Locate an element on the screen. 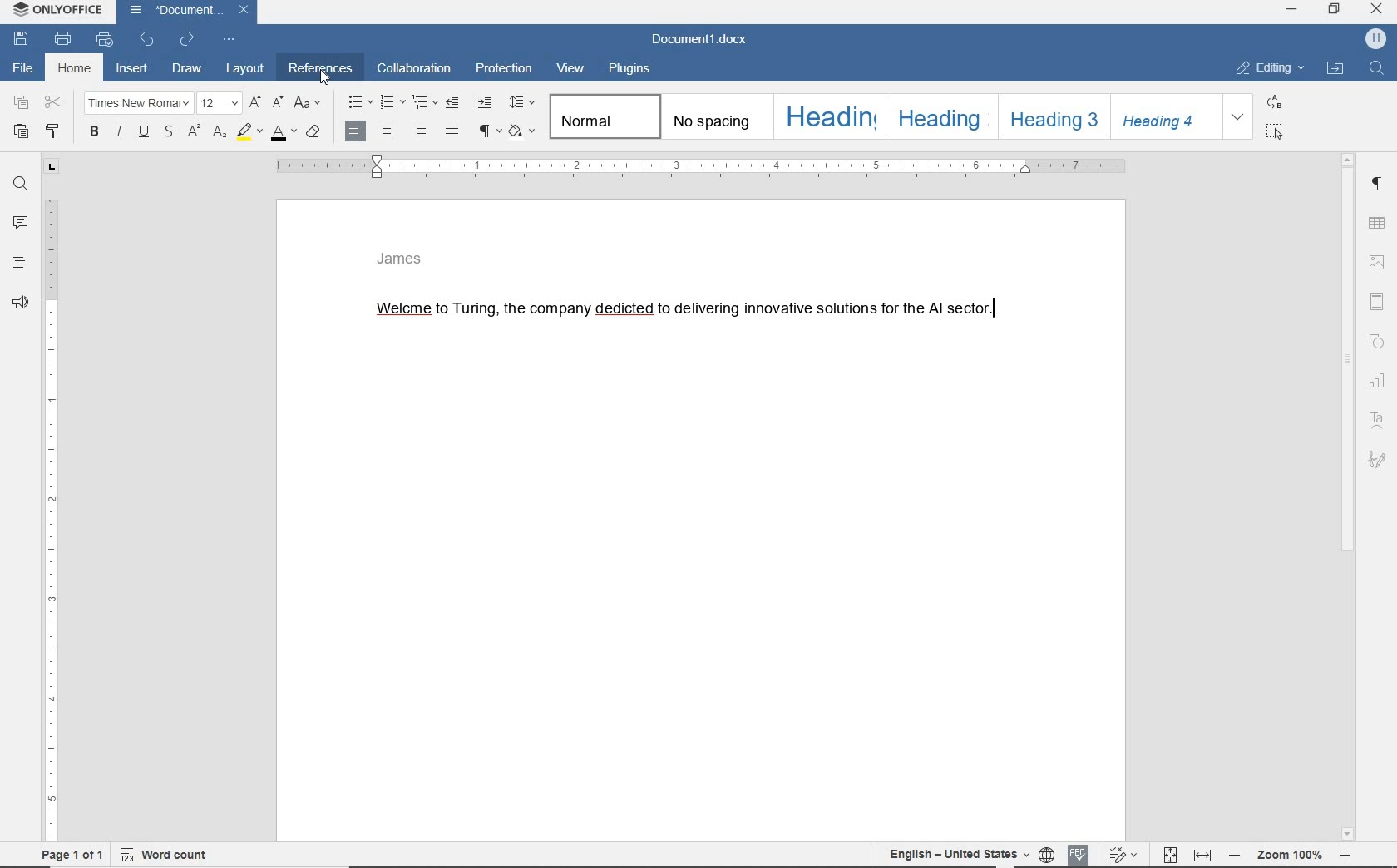 Image resolution: width=1397 pixels, height=868 pixels. bold is located at coordinates (95, 134).